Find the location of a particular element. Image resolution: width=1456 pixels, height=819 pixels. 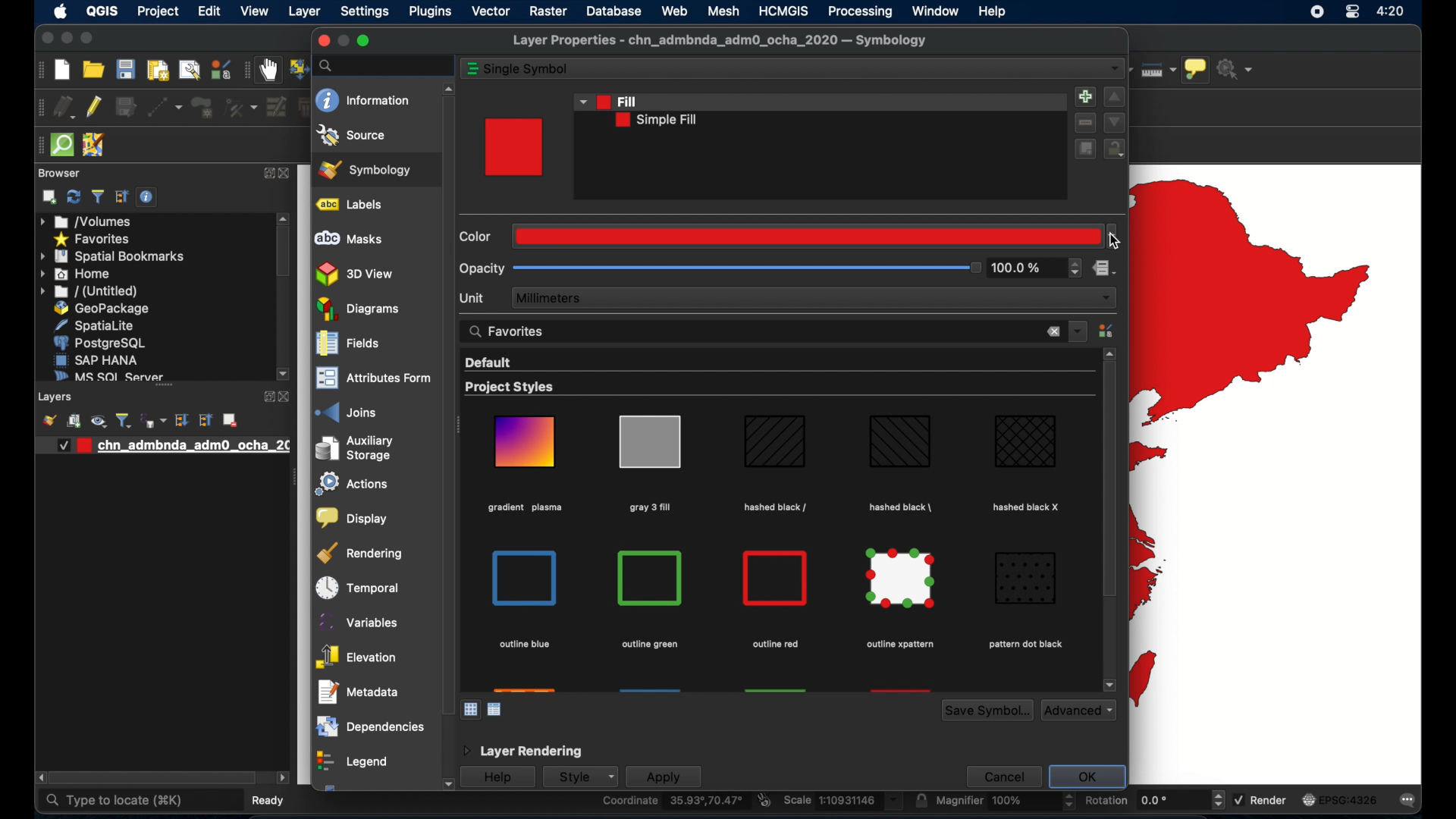

filter legend by expression is located at coordinates (155, 420).